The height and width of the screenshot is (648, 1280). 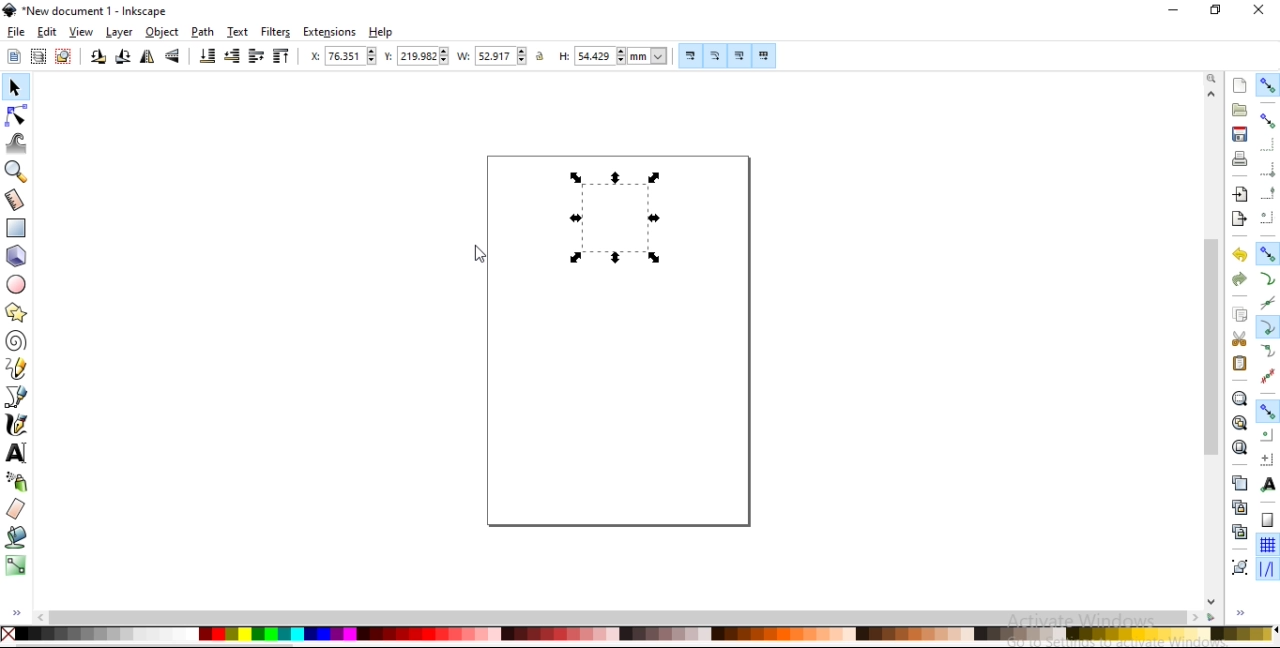 I want to click on select all objects in all visible and unlocked layers, so click(x=37, y=56).